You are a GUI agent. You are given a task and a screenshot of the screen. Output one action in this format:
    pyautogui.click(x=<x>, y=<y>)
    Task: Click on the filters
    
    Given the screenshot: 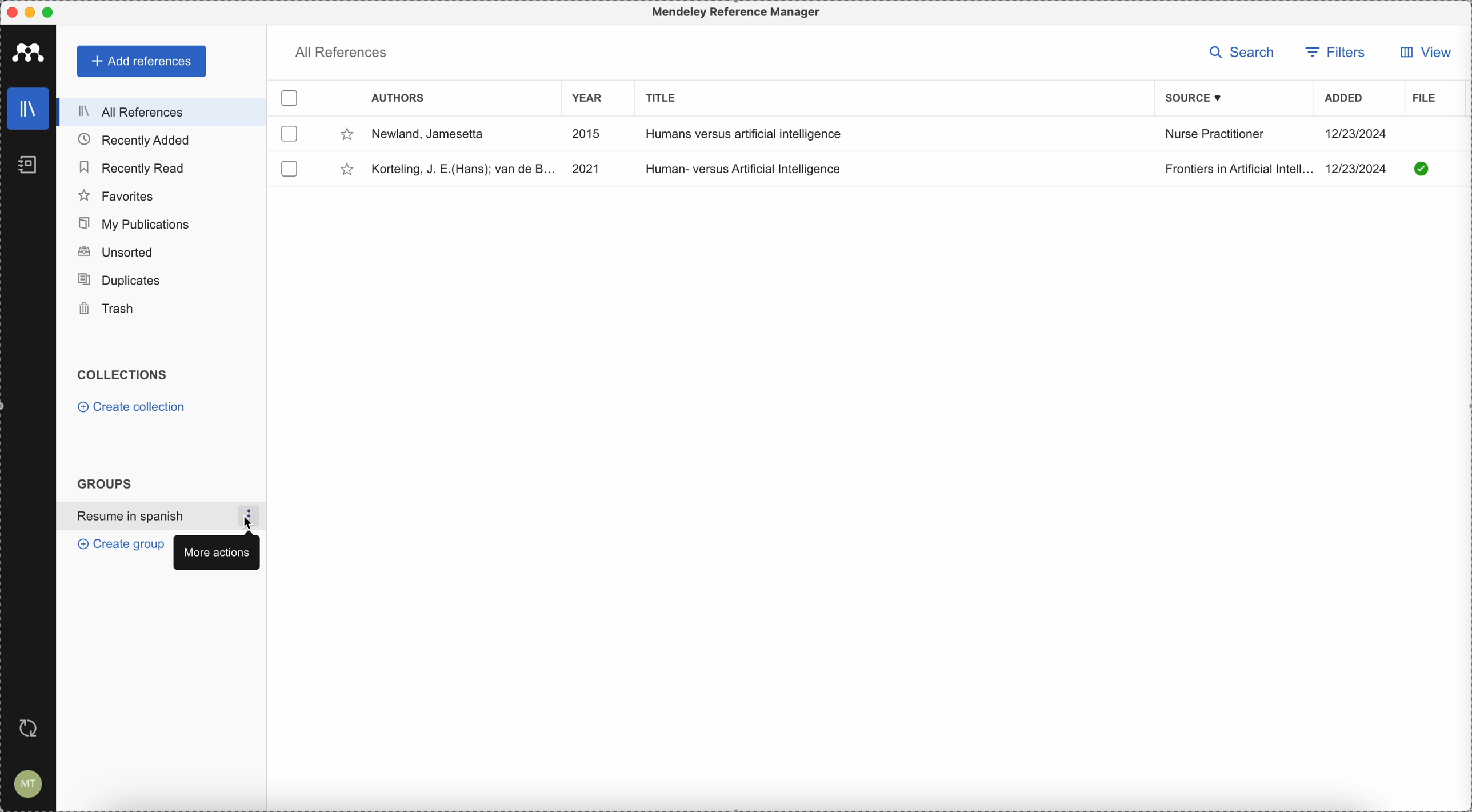 What is the action you would take?
    pyautogui.click(x=1338, y=51)
    